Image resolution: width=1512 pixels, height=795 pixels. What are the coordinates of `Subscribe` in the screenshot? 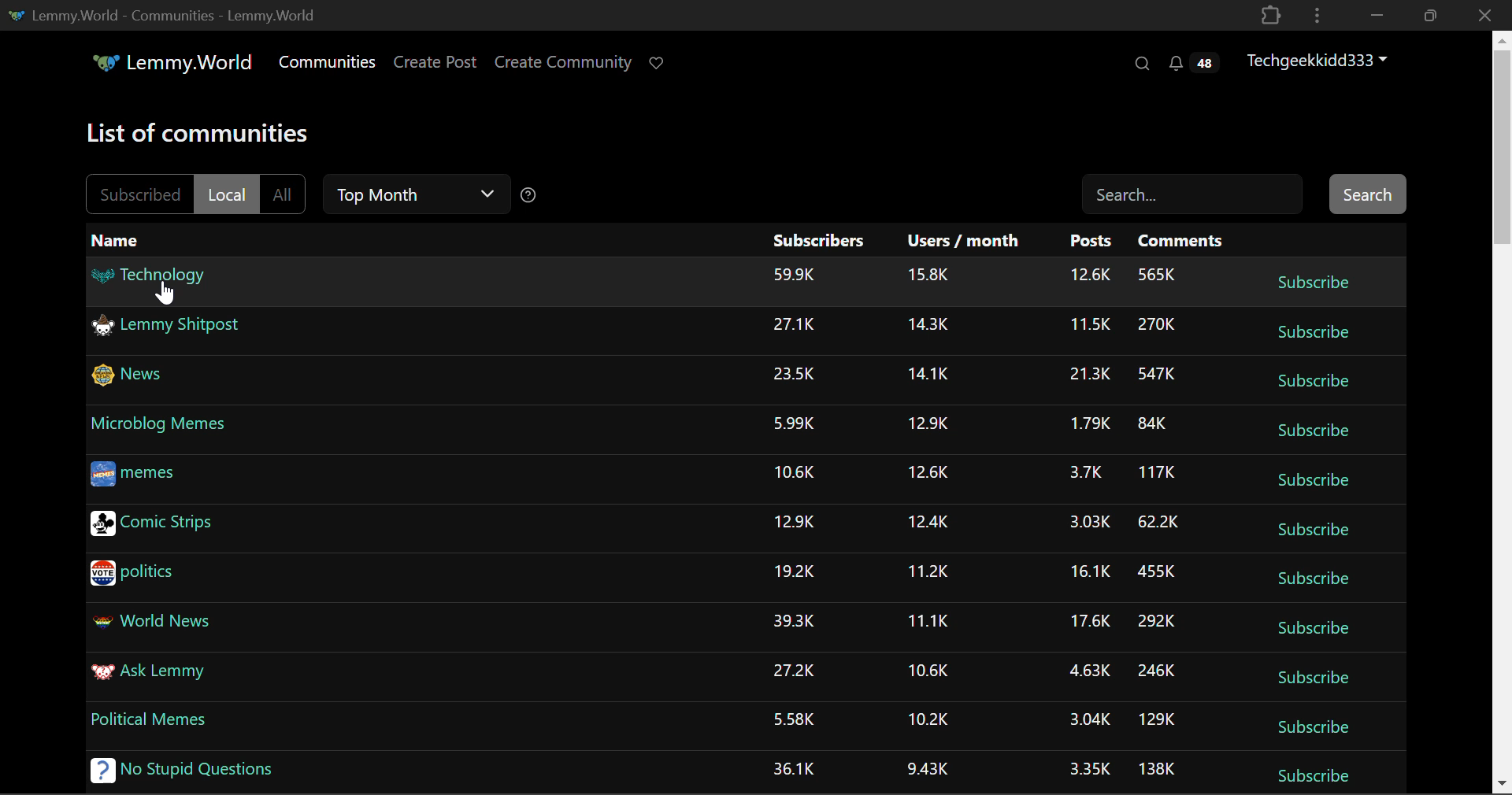 It's located at (1315, 482).